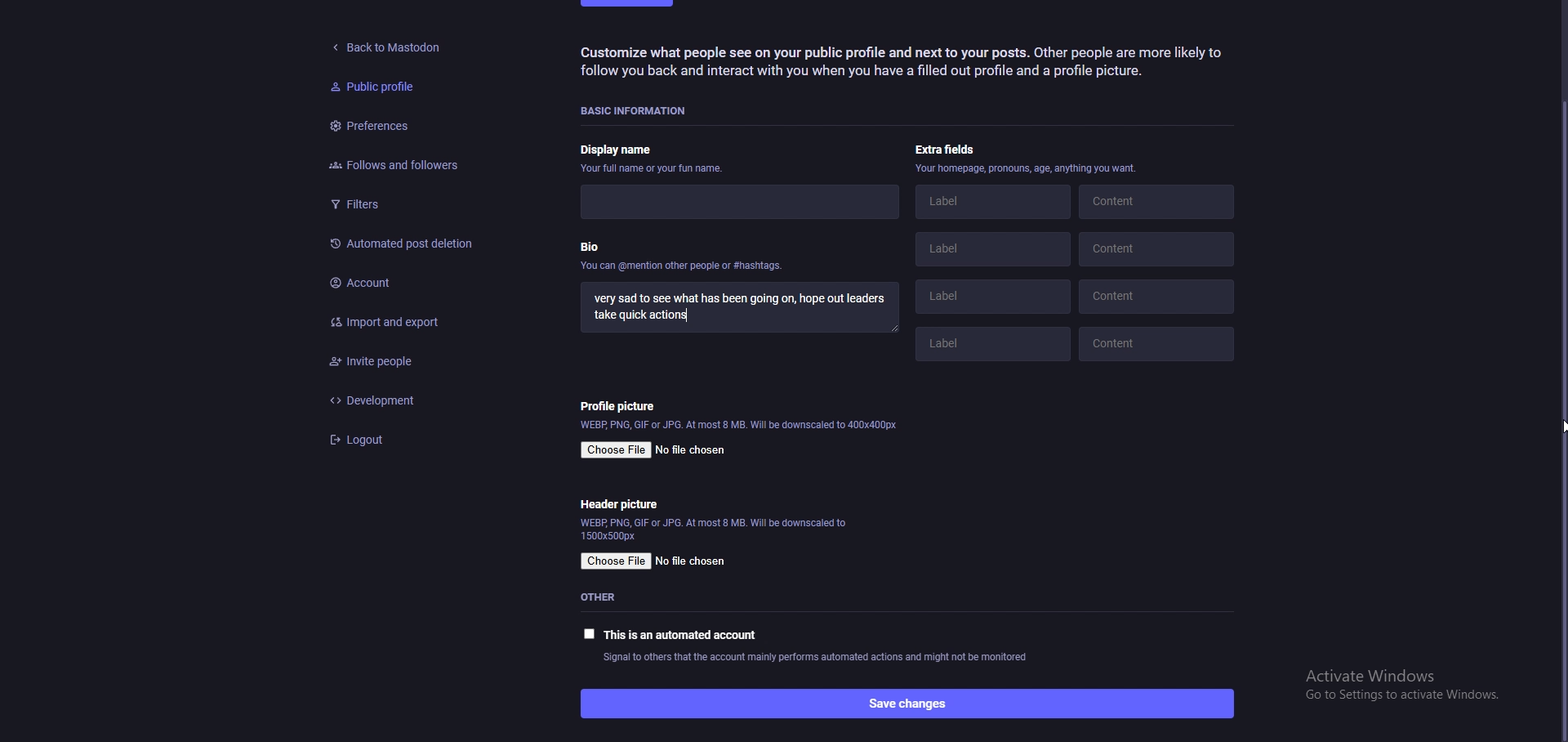 This screenshot has width=1568, height=742. I want to click on content, so click(1159, 205).